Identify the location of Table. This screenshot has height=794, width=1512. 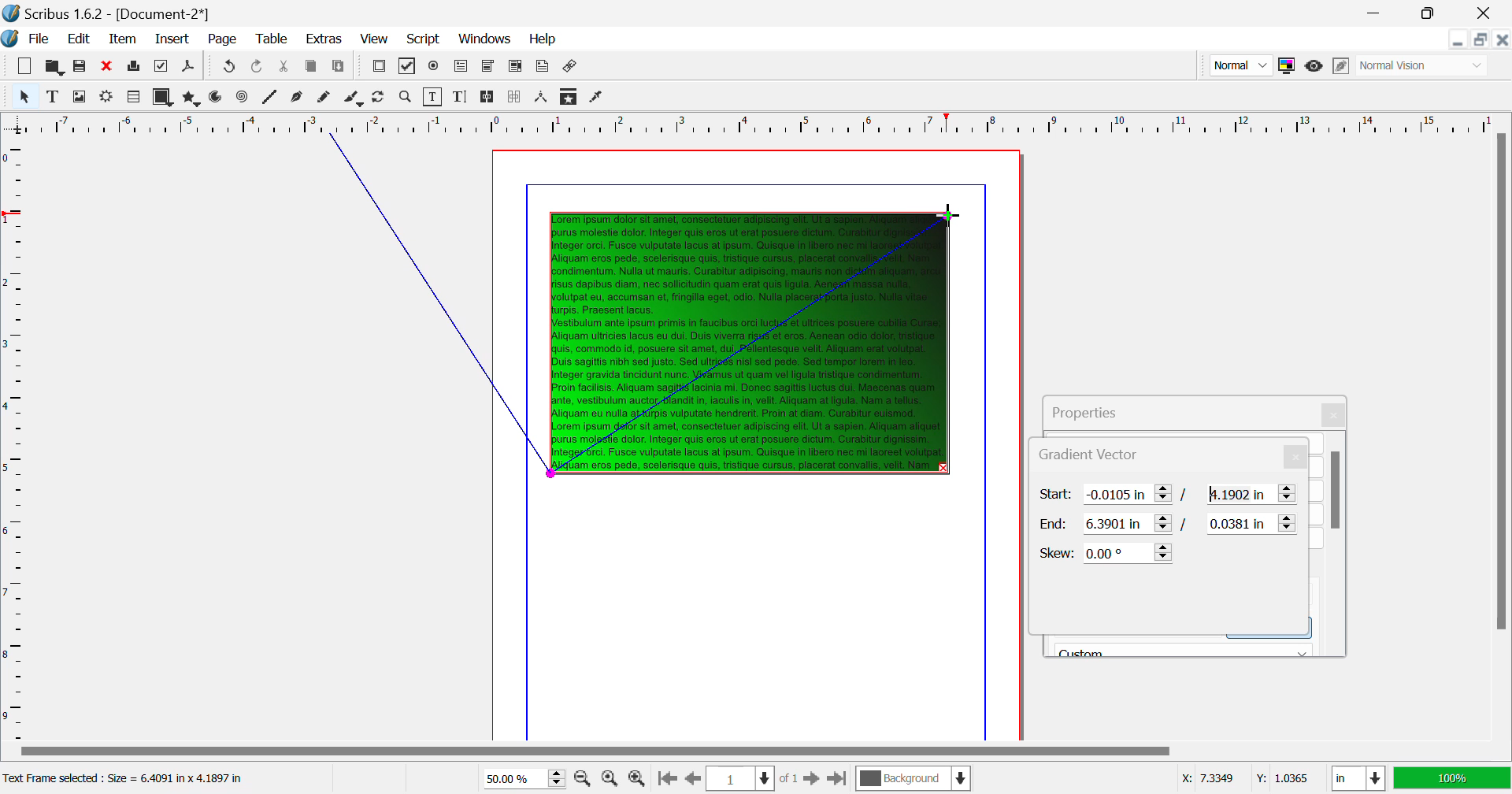
(273, 40).